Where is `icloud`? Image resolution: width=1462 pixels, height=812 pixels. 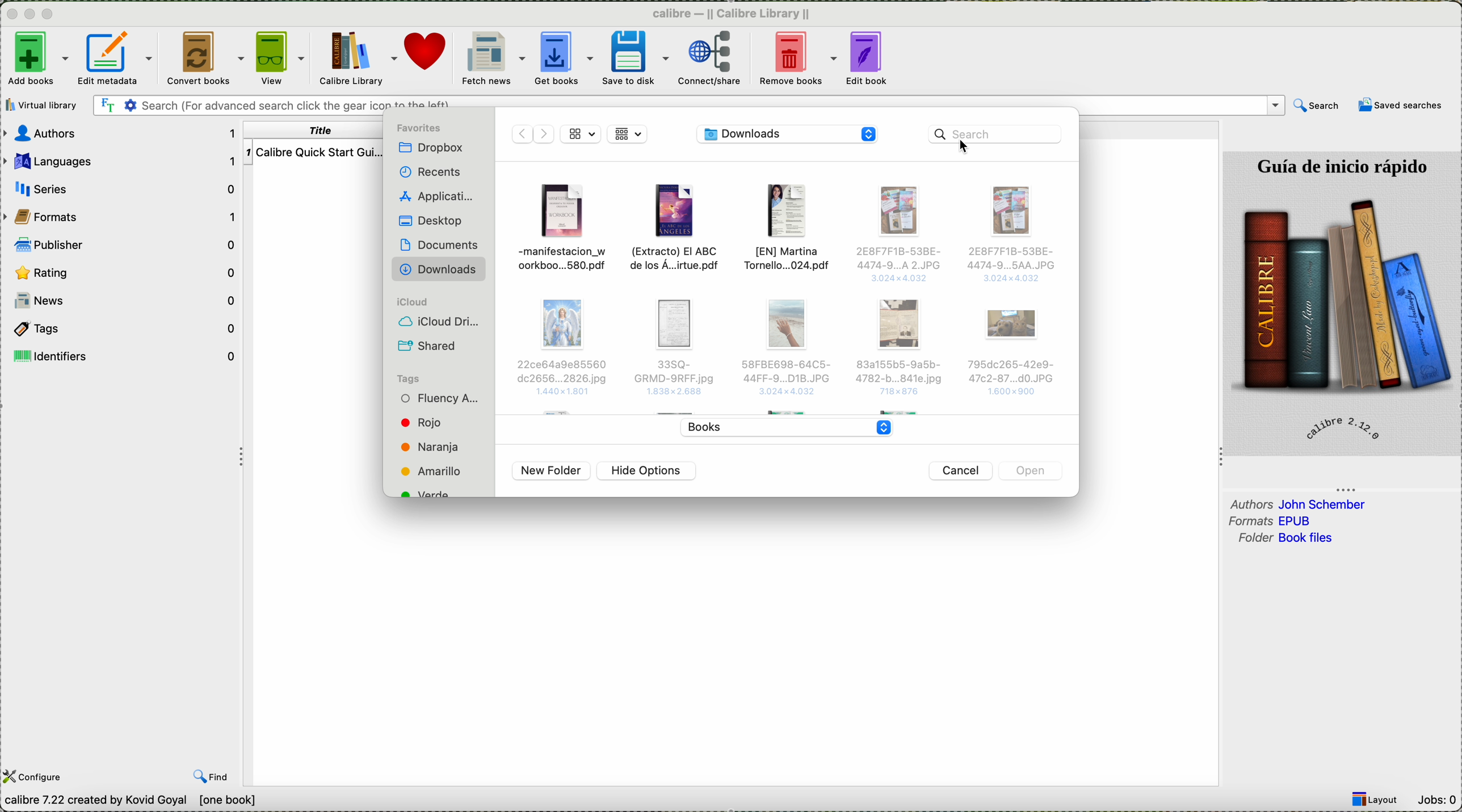
icloud is located at coordinates (410, 301).